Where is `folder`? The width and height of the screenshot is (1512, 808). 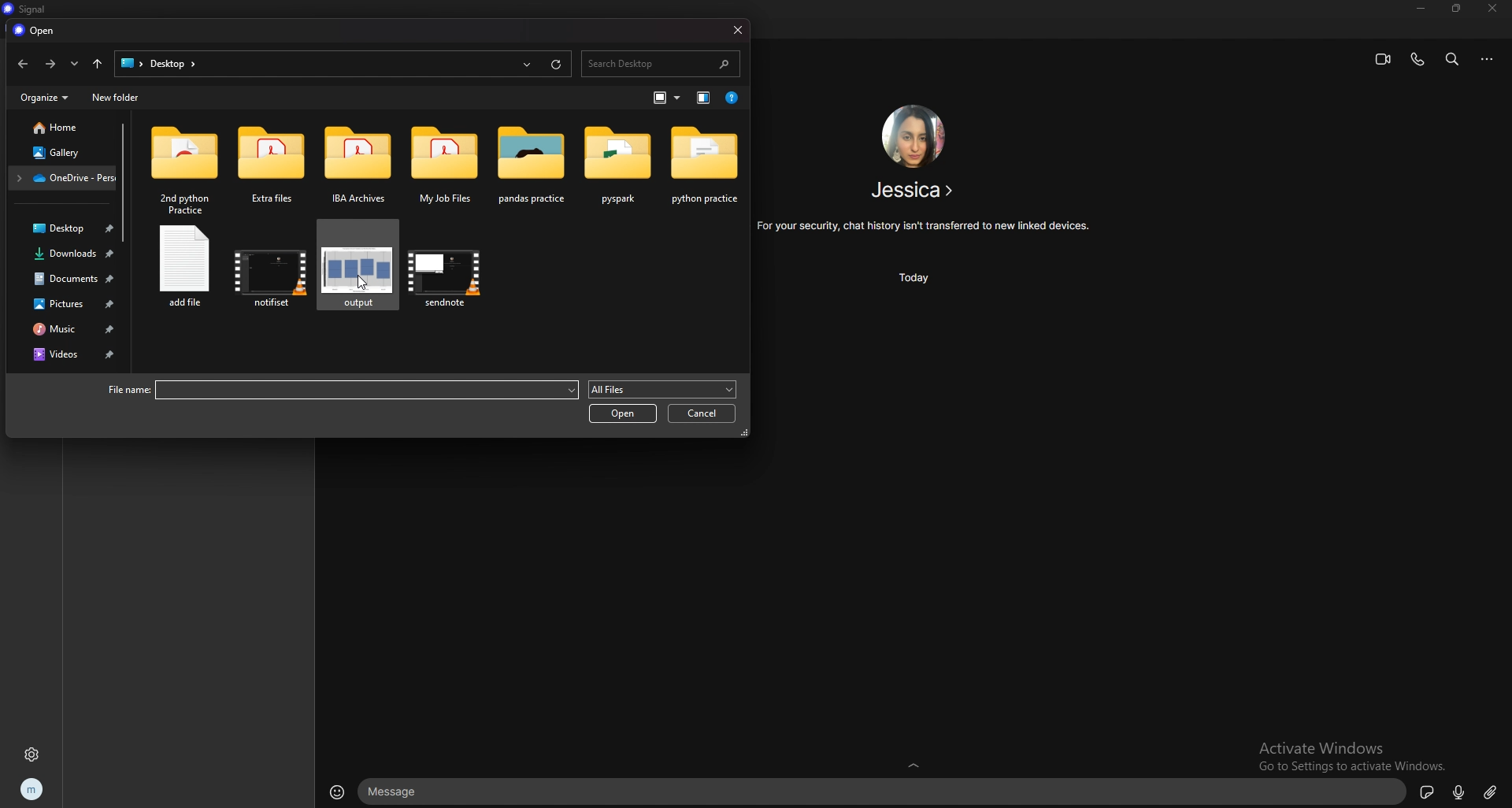 folder is located at coordinates (621, 165).